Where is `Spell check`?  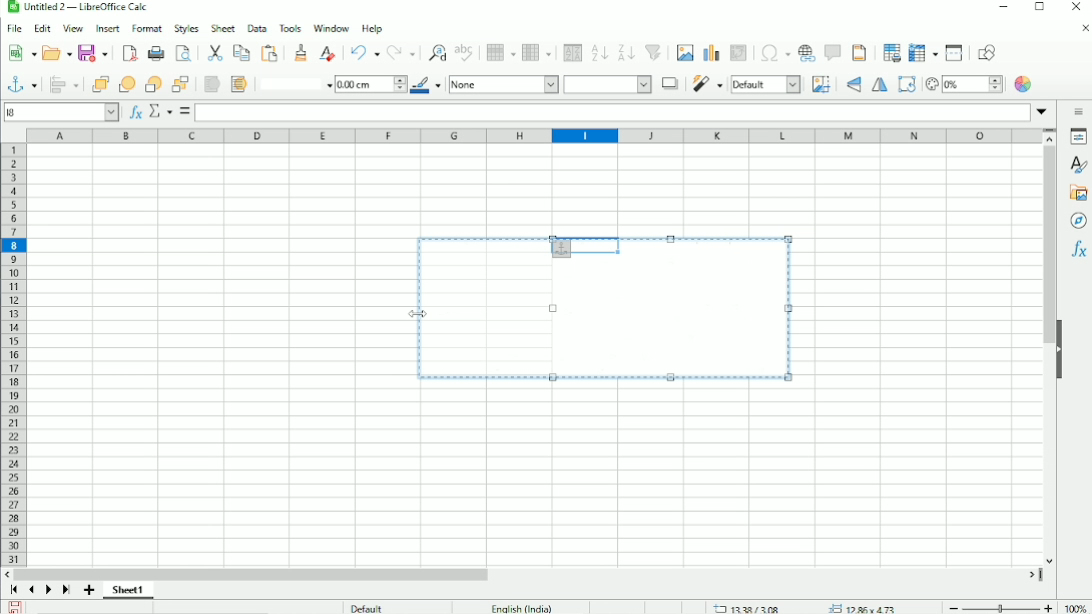
Spell check is located at coordinates (465, 52).